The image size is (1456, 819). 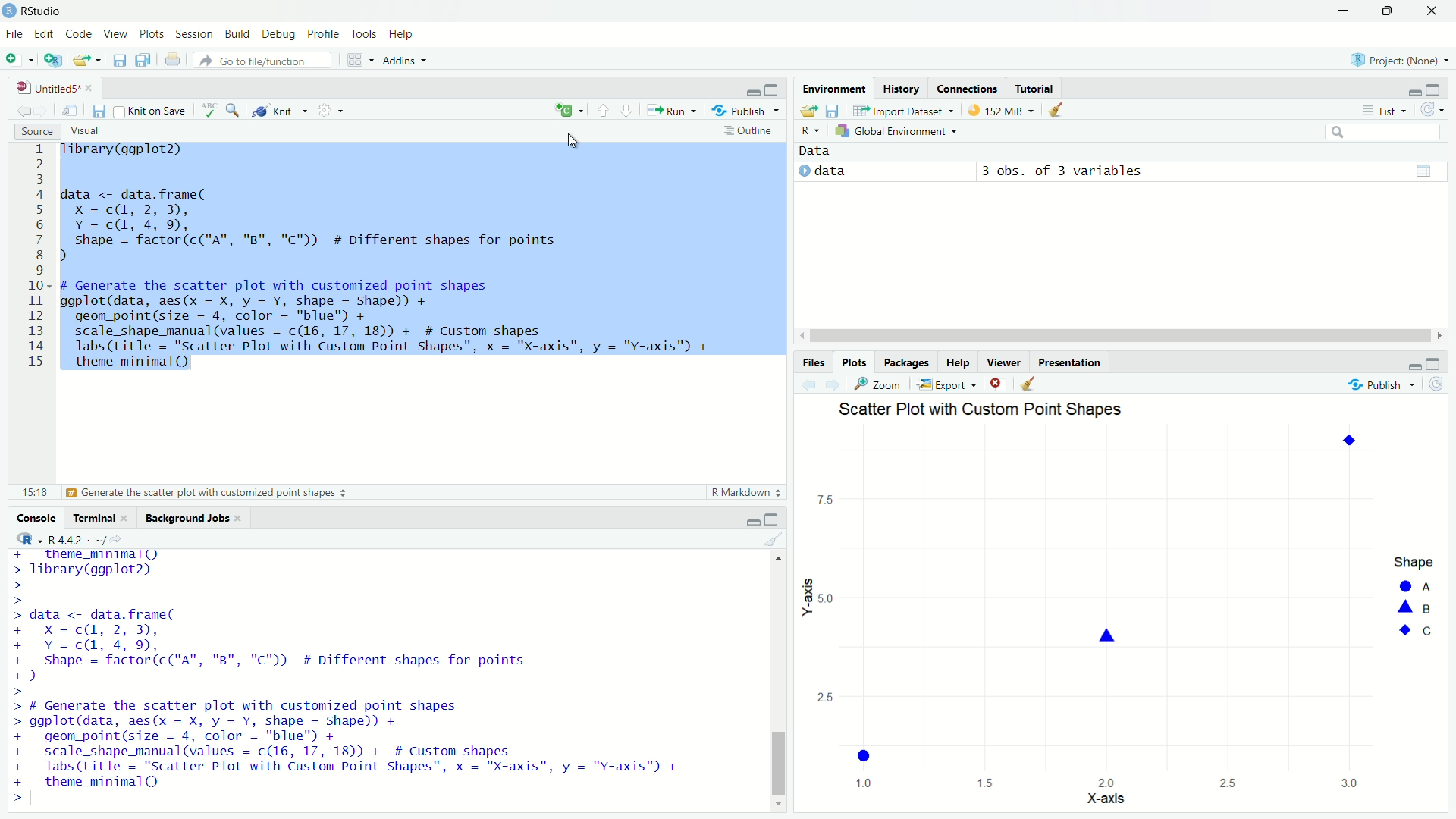 What do you see at coordinates (388, 258) in the screenshot?
I see `1ibrary(ggplot2)
data <- data.frame(
X =cQ, 2, 3),
Y=cd, 4,9,
Shape = factor(c("A", "B", "C")) # Different shapes for points
d
. . . I
# Generate the scatter plot with customized point shapes
ggplot(data, aes(x = X, y = Y, shape = Shape)) +
geom_point(size = 4, color = "blue") +
scale_shape_manual (values = c(16, 17, 18)) + # Custom shapes
Tabs (title = "Scatter Plot with Custom Point Shapes", x = "X-axis", y = "Y-axis") +
theme_minimal()` at bounding box center [388, 258].